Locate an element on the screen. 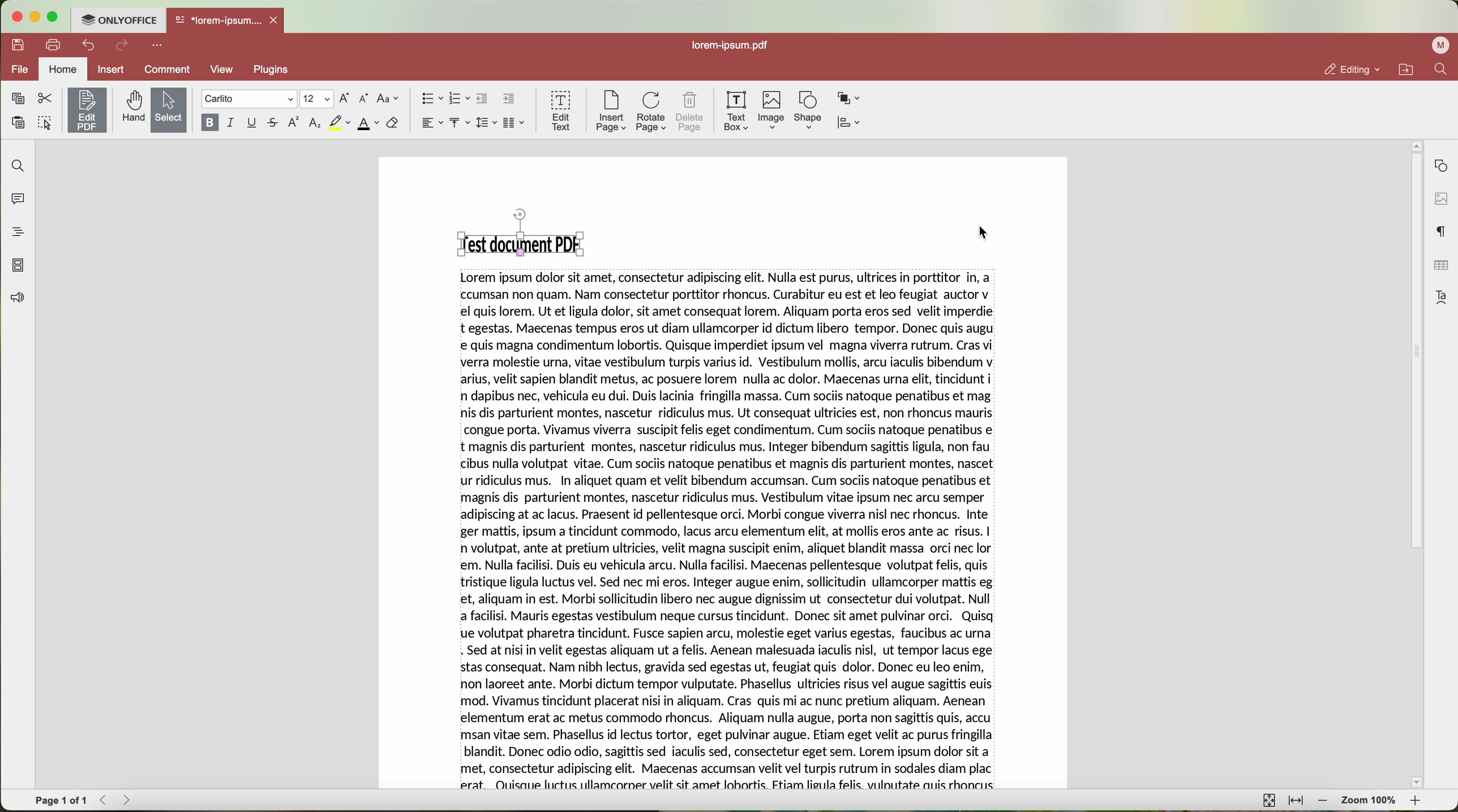  clear style is located at coordinates (393, 124).